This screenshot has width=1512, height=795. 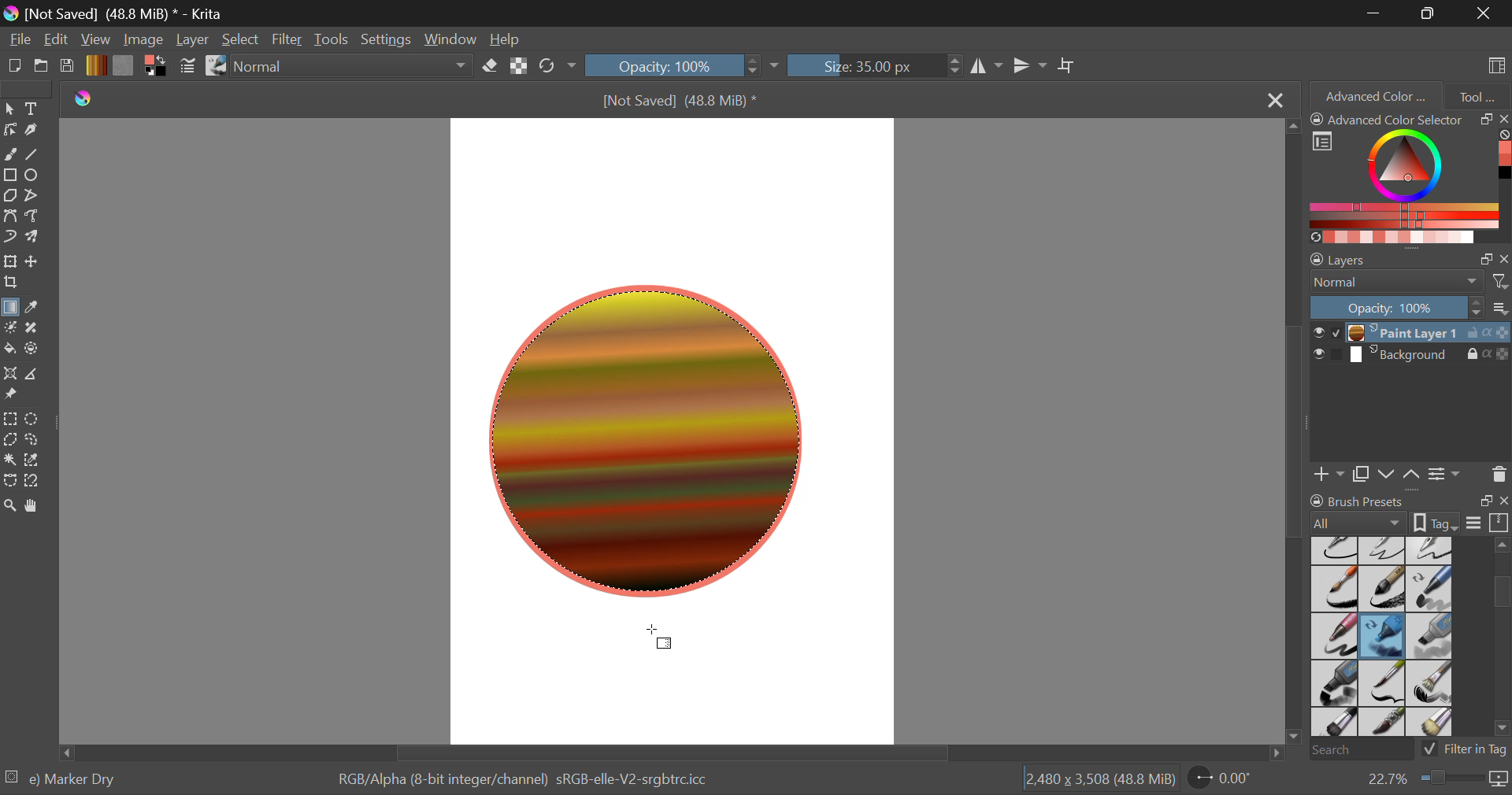 What do you see at coordinates (1296, 434) in the screenshot?
I see `Scroll Bar` at bounding box center [1296, 434].